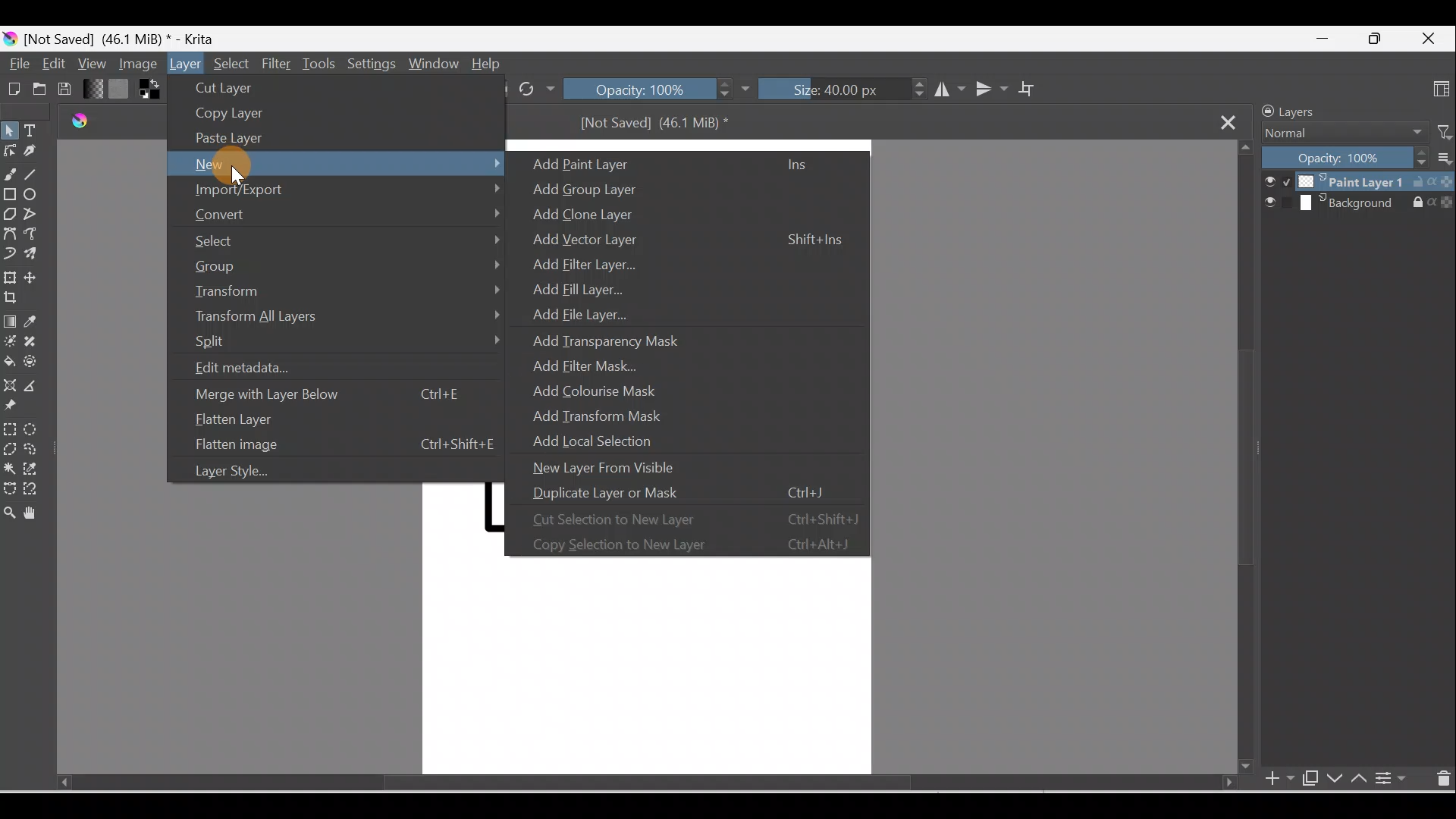  What do you see at coordinates (231, 61) in the screenshot?
I see `Select` at bounding box center [231, 61].